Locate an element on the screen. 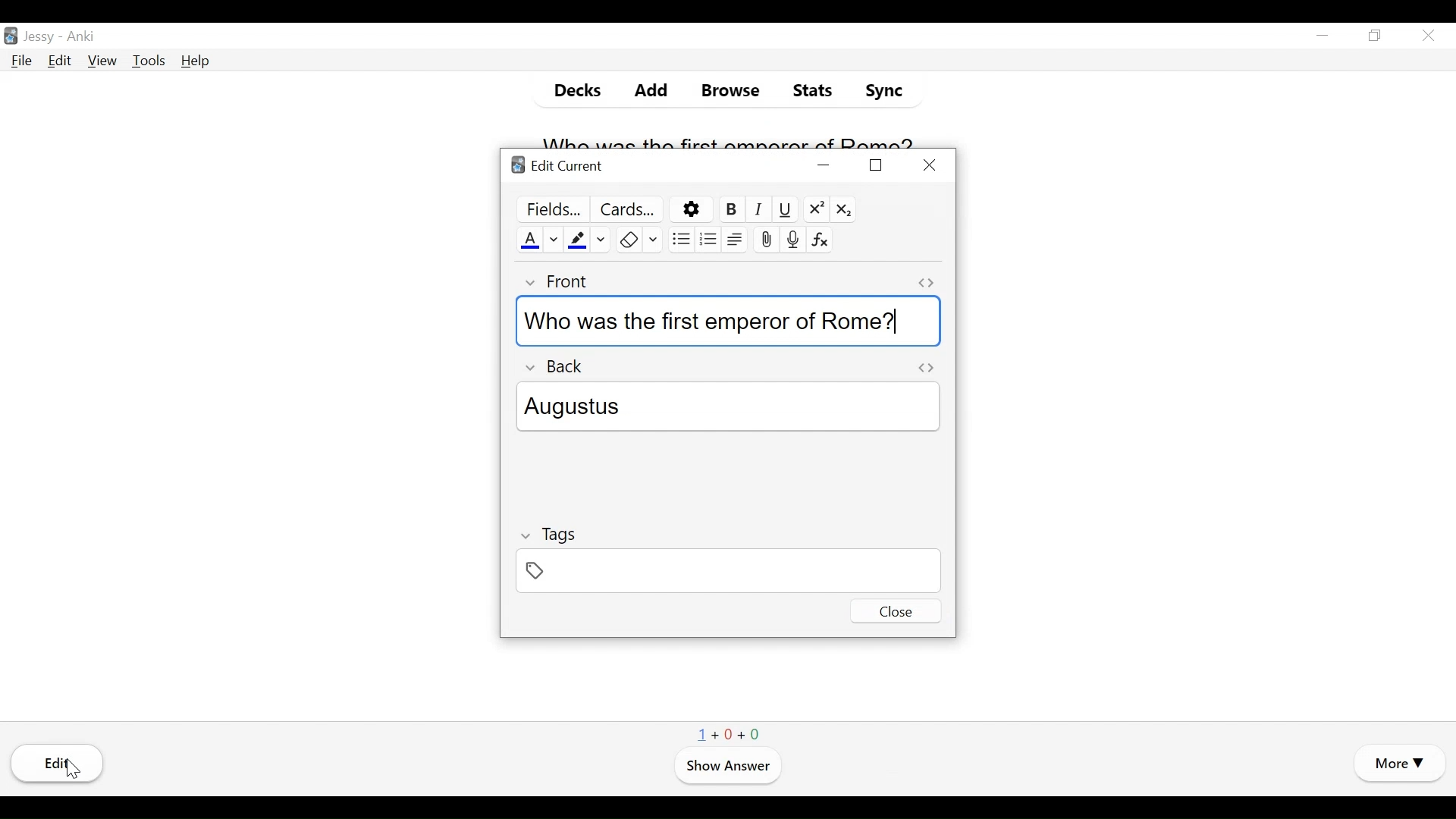 Image resolution: width=1456 pixels, height=819 pixels. Italics is located at coordinates (758, 209).